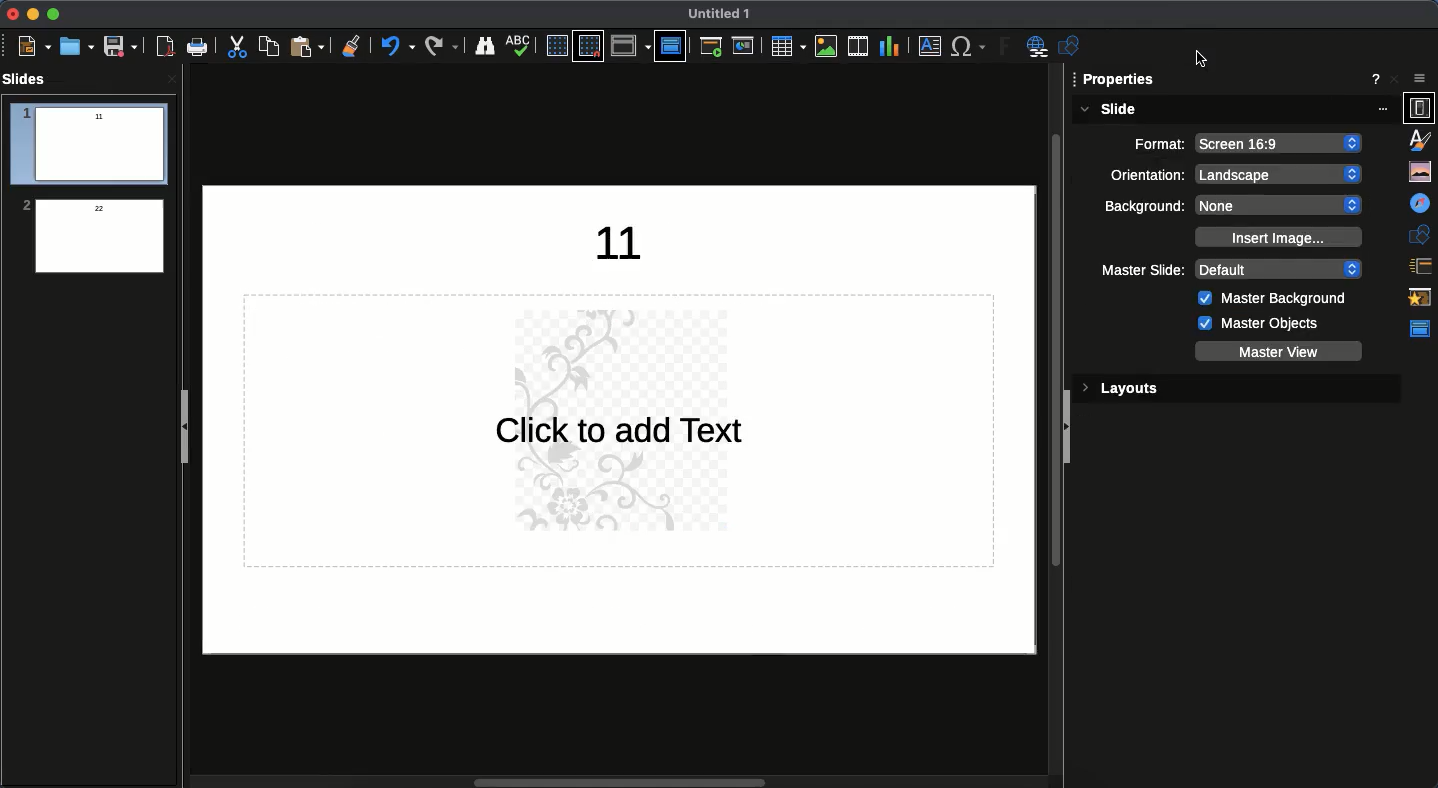  I want to click on Collapse, so click(189, 429).